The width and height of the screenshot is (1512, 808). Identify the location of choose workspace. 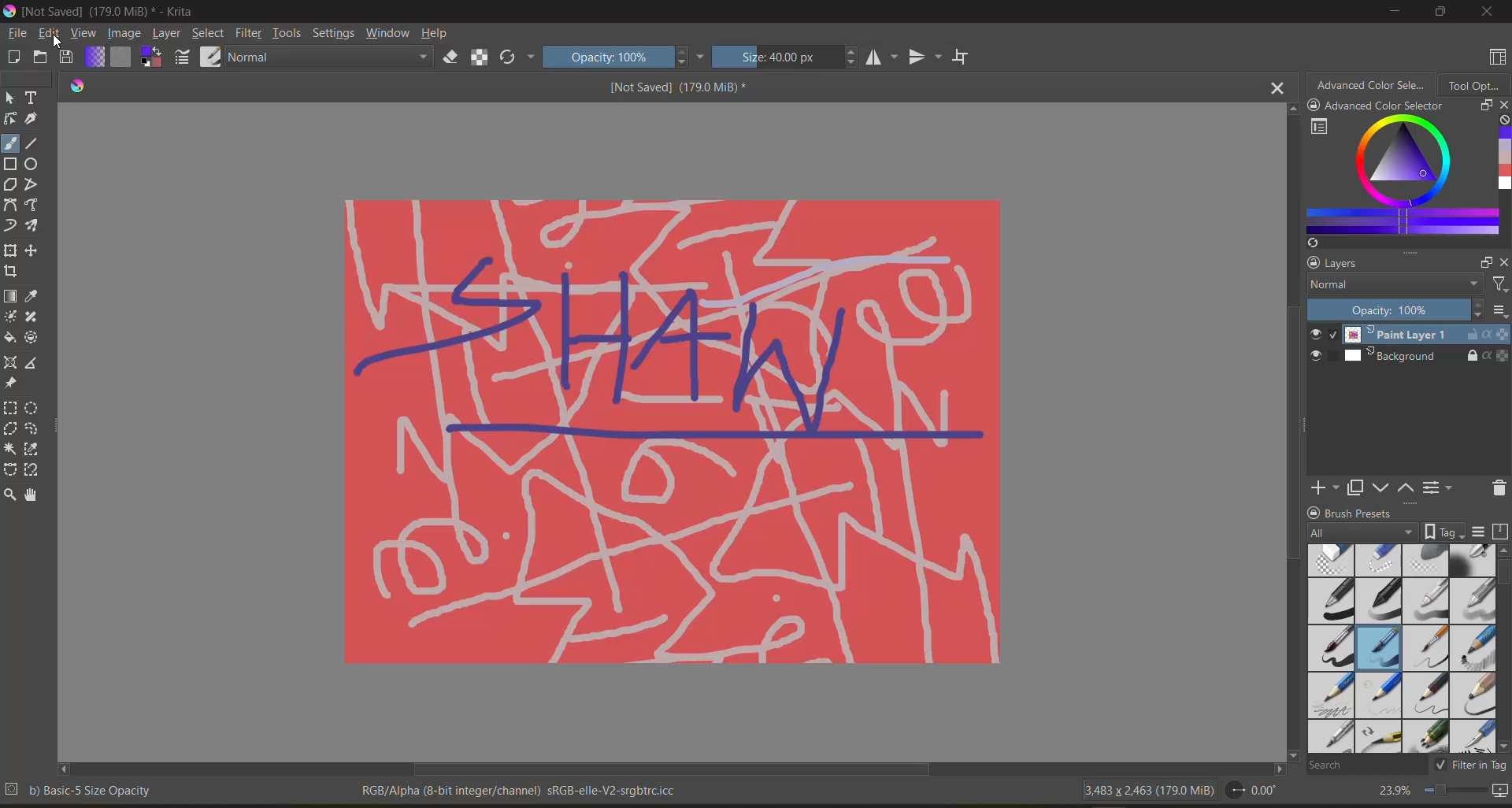
(1497, 57).